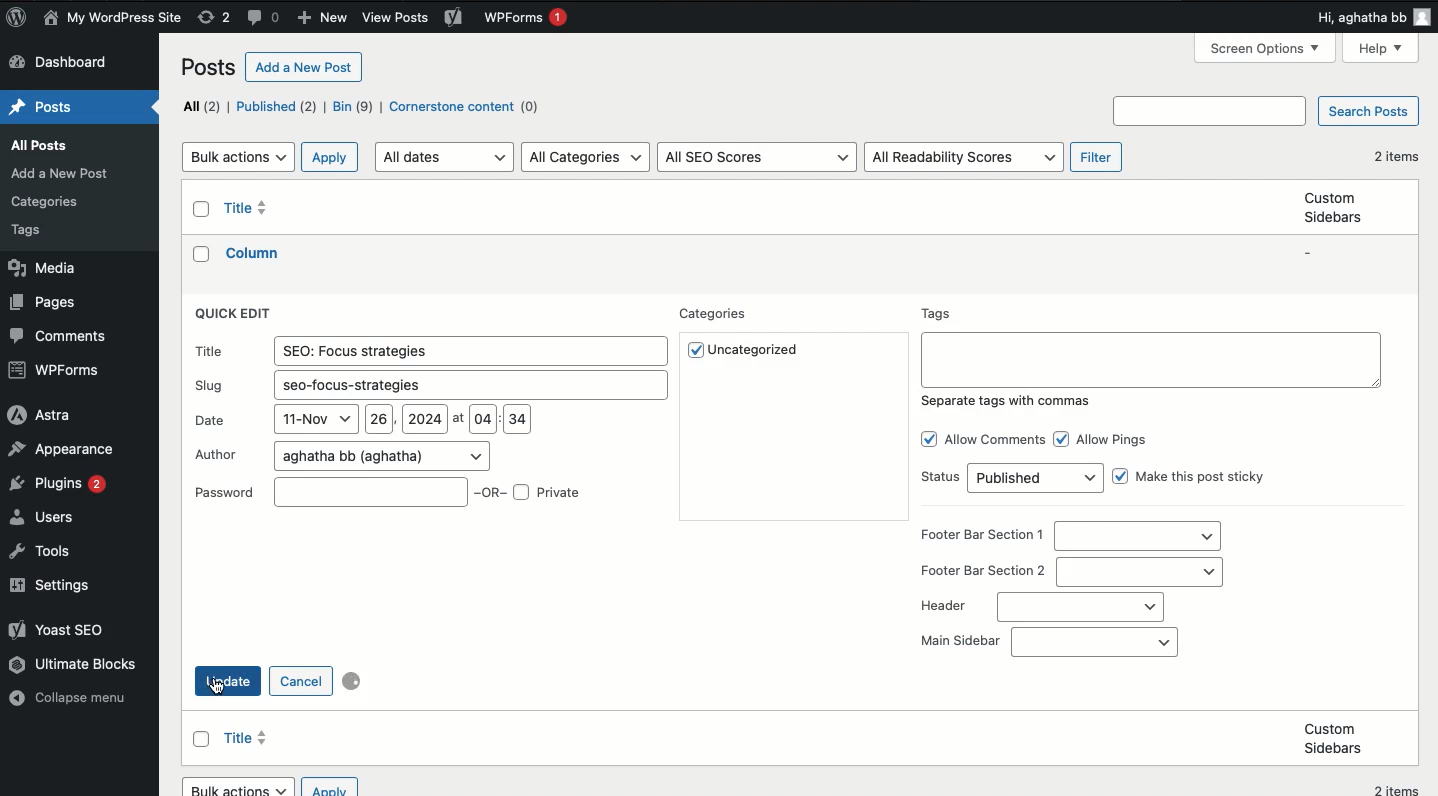 The image size is (1438, 796). I want to click on cursor, so click(216, 689).